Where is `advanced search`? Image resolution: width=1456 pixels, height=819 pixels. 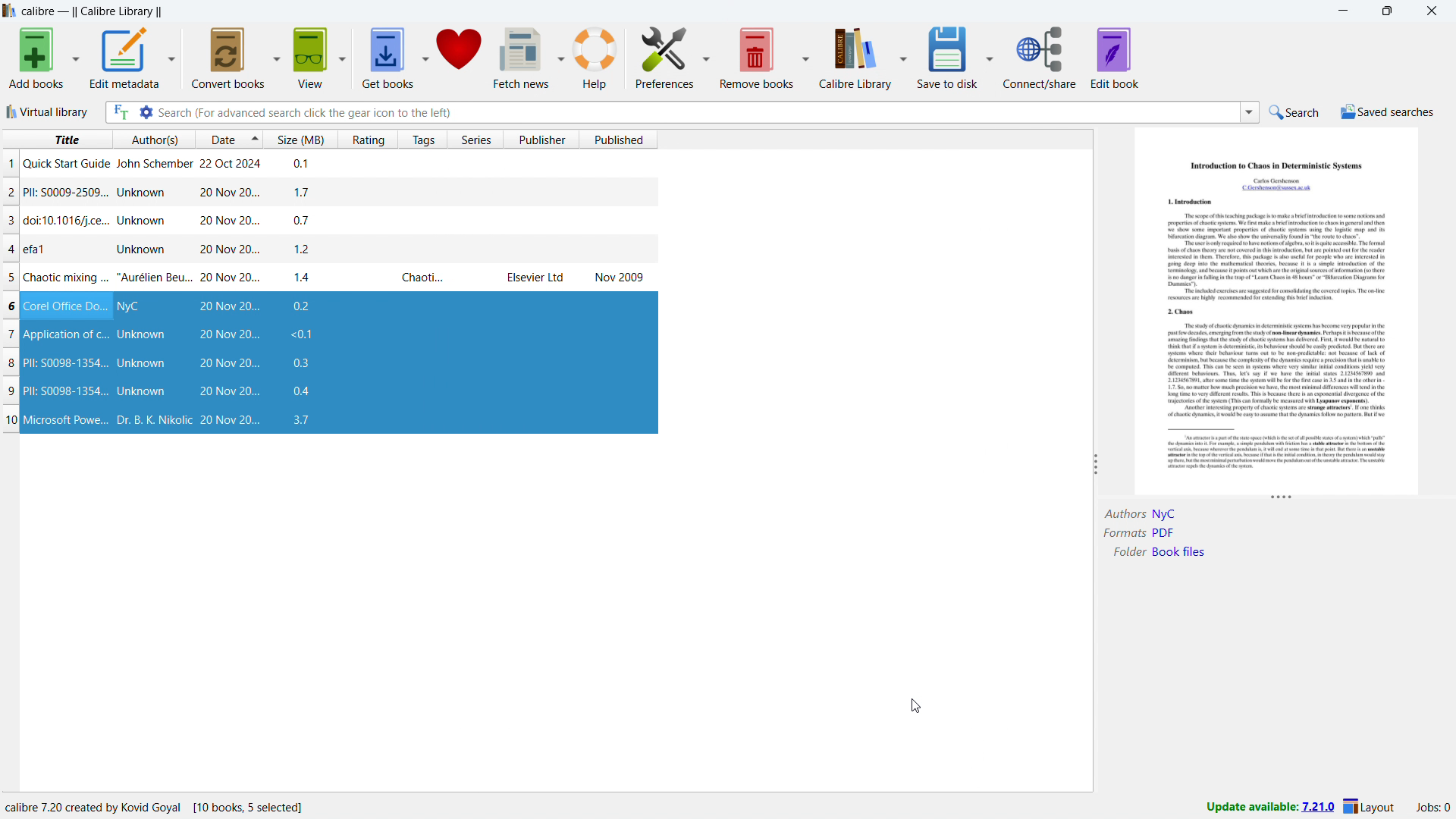
advanced search is located at coordinates (146, 112).